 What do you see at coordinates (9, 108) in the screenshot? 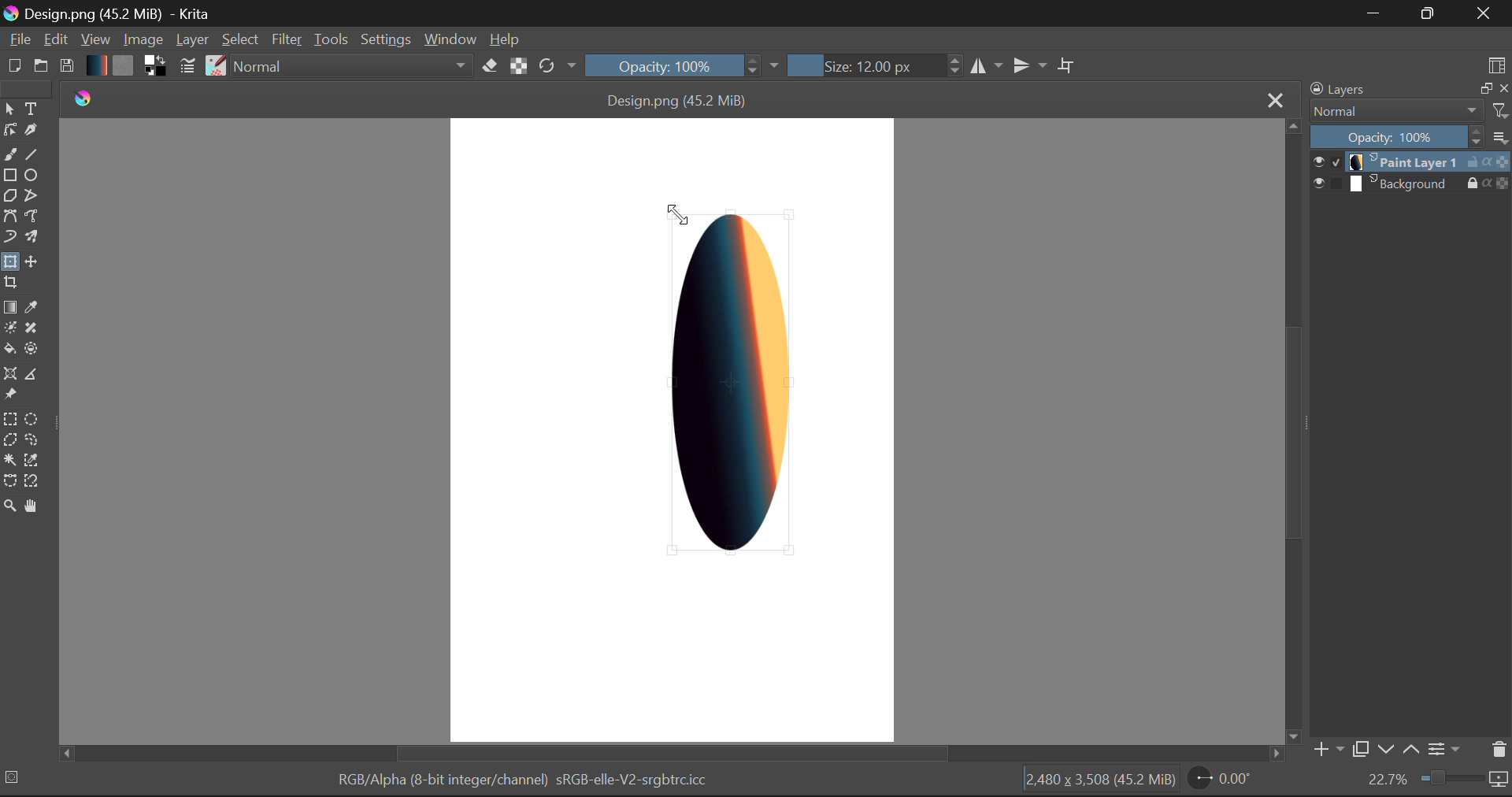
I see `Select` at bounding box center [9, 108].